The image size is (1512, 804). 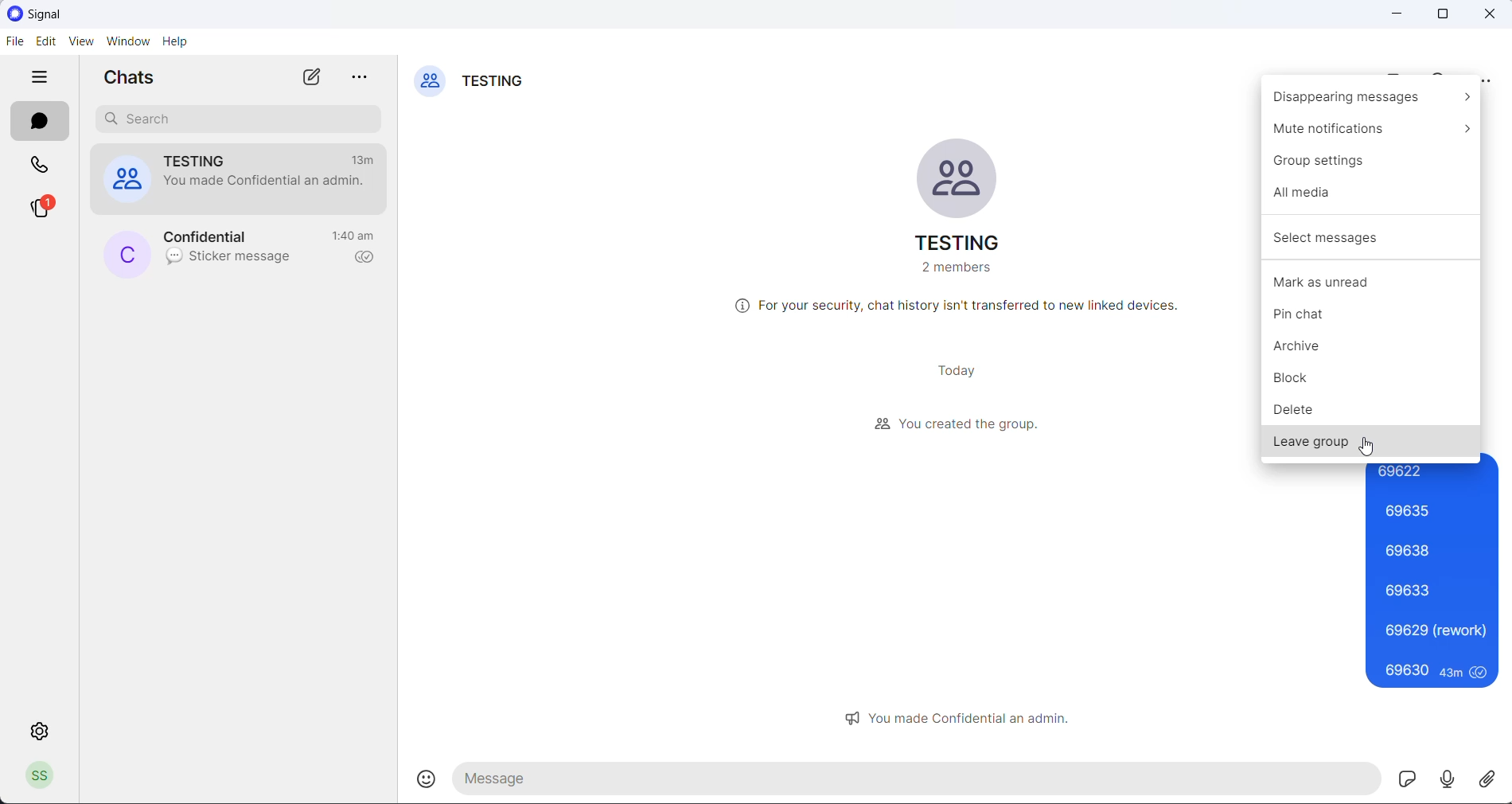 I want to click on mark as unread, so click(x=1372, y=283).